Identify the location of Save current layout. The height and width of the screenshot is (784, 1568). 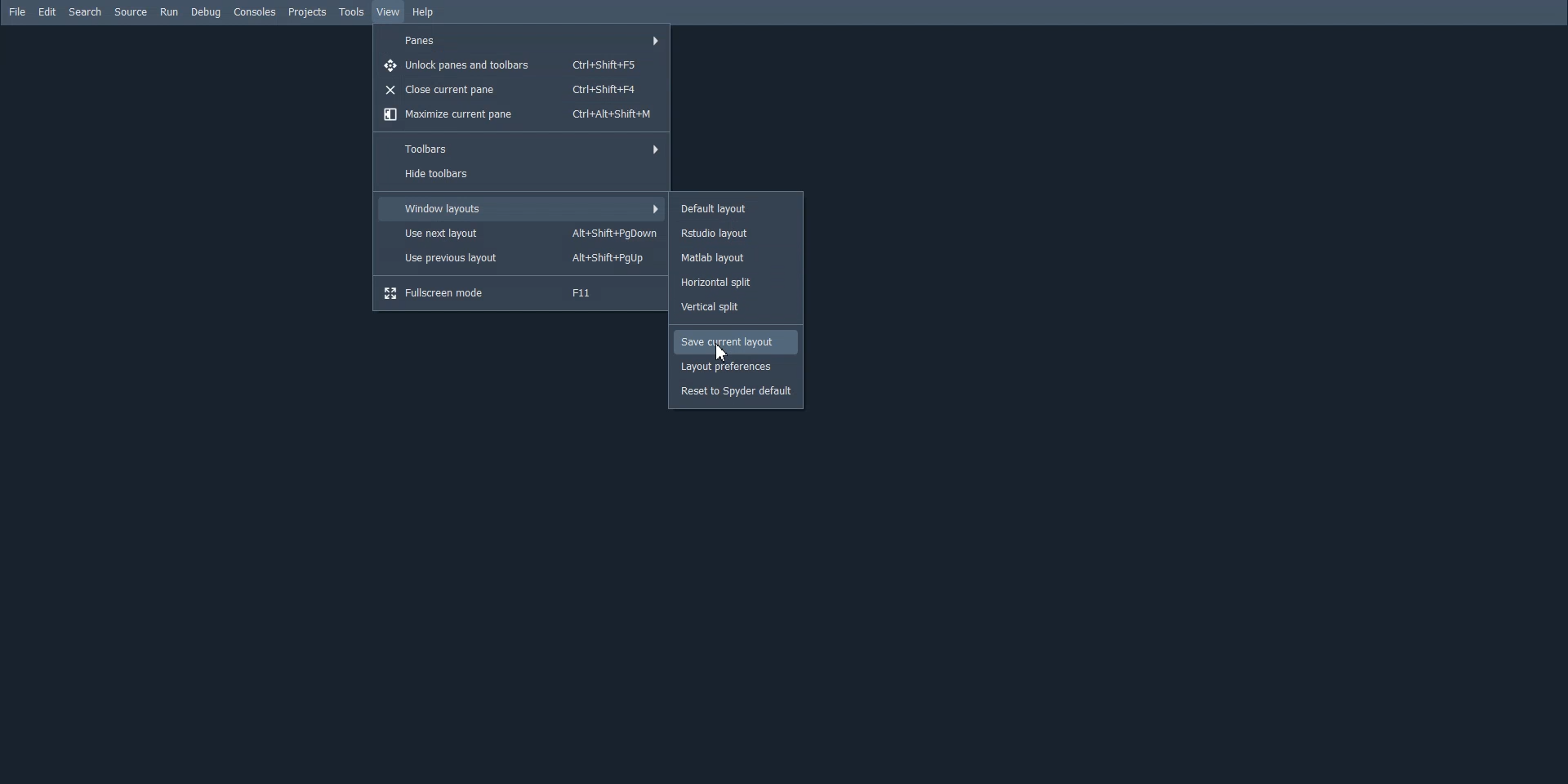
(736, 341).